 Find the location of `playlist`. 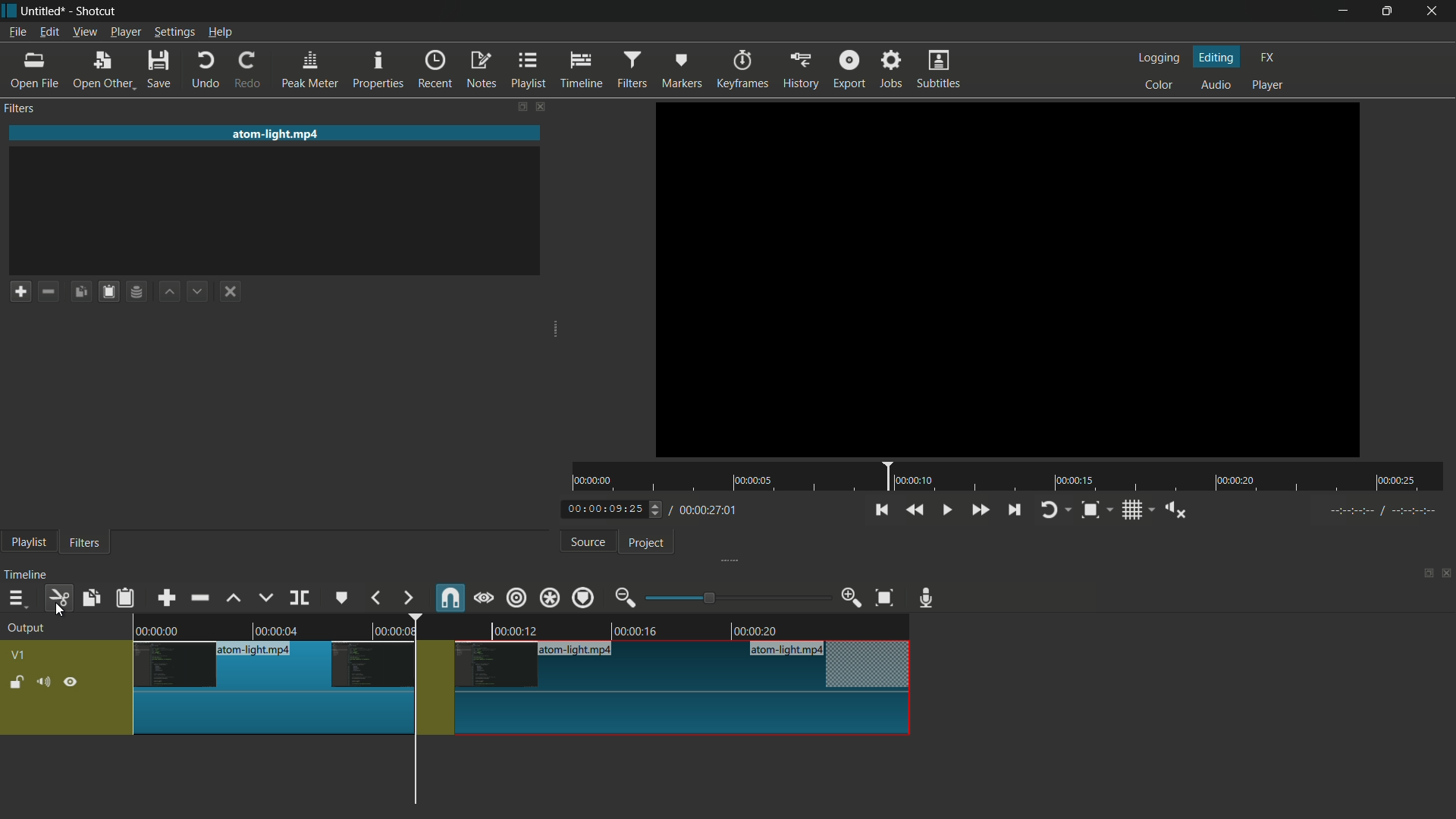

playlist is located at coordinates (28, 544).